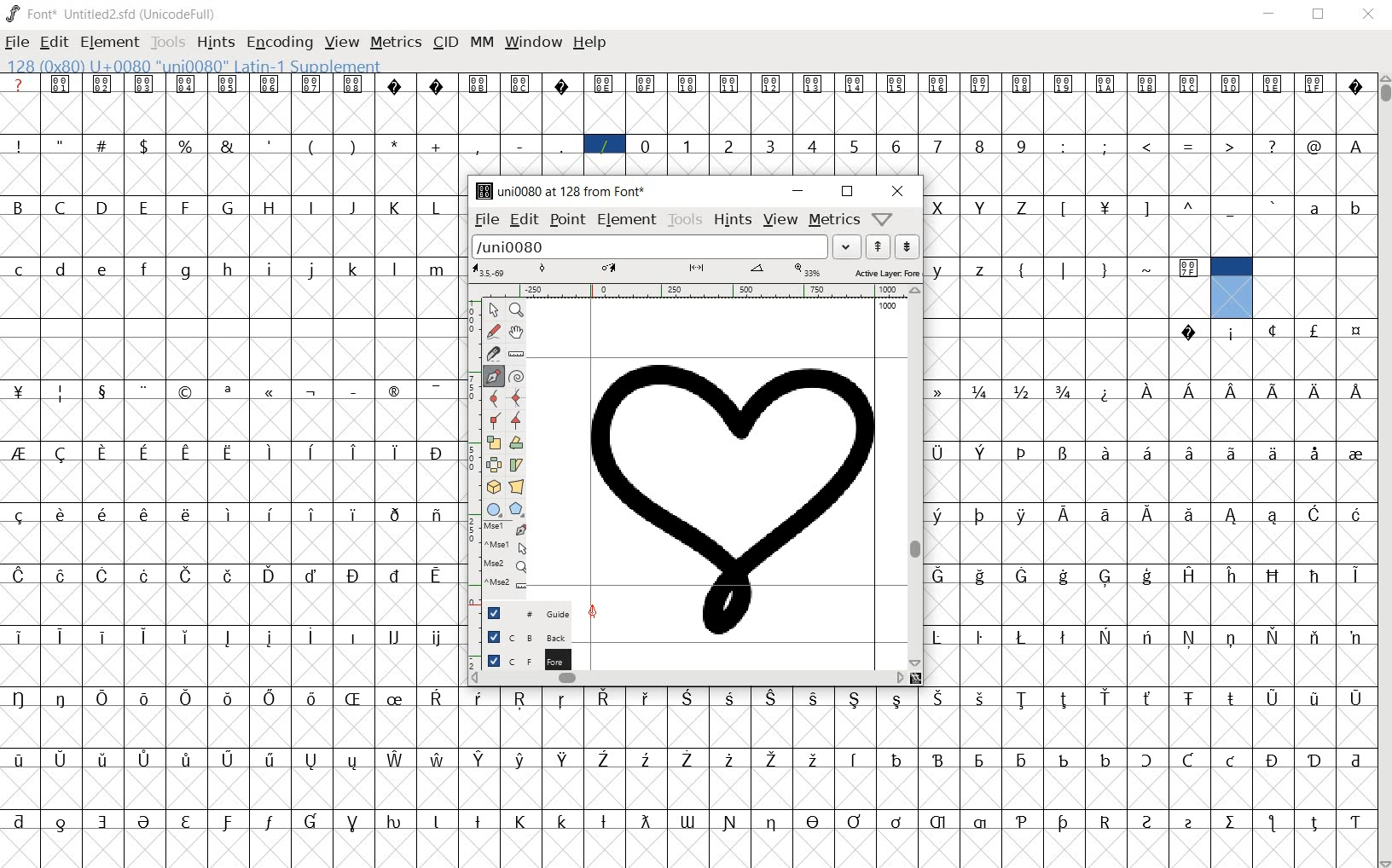 The image size is (1392, 868). Describe the element at coordinates (1064, 576) in the screenshot. I see `glyph` at that location.